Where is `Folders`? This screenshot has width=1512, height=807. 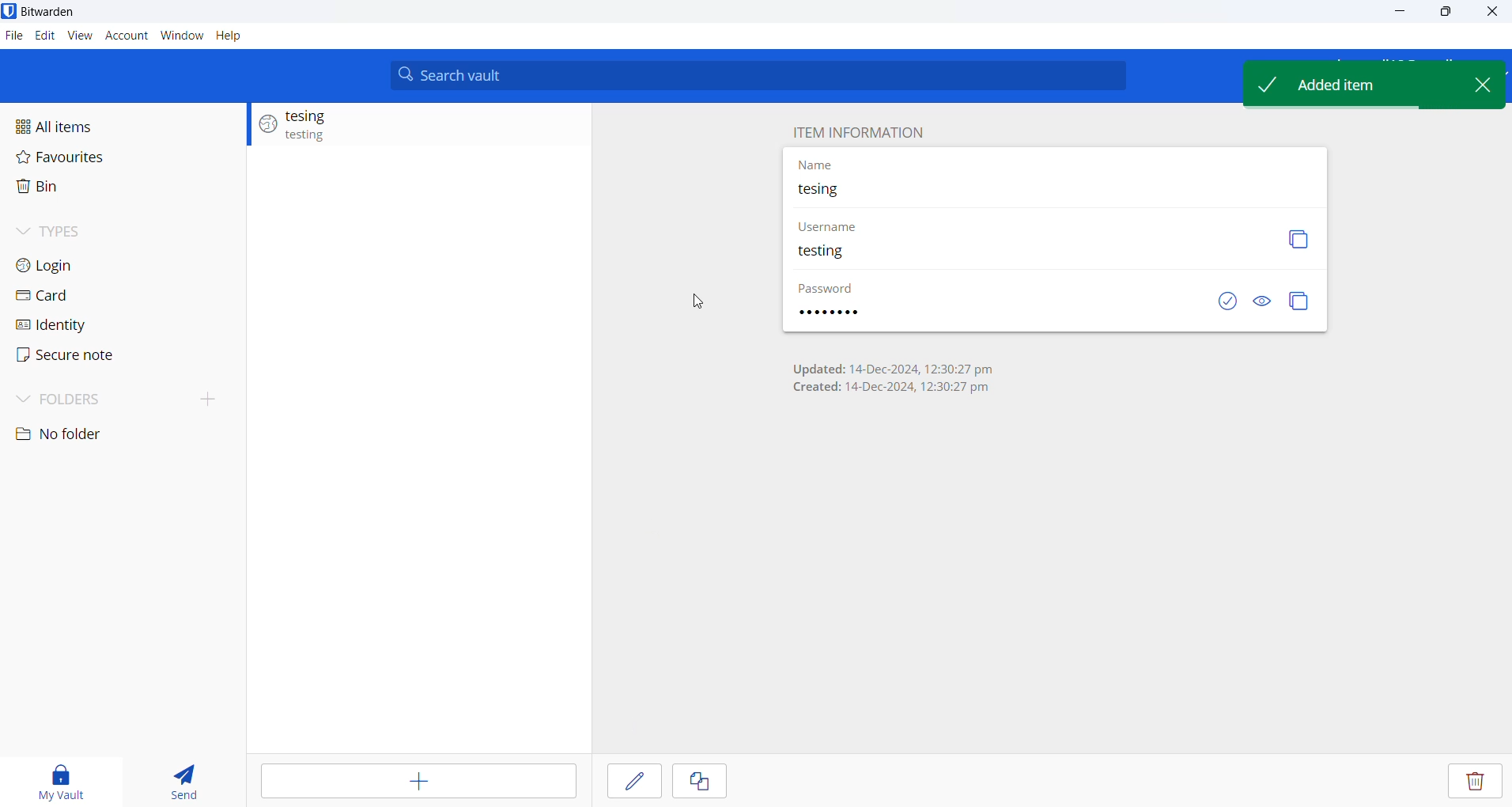
Folders is located at coordinates (81, 396).